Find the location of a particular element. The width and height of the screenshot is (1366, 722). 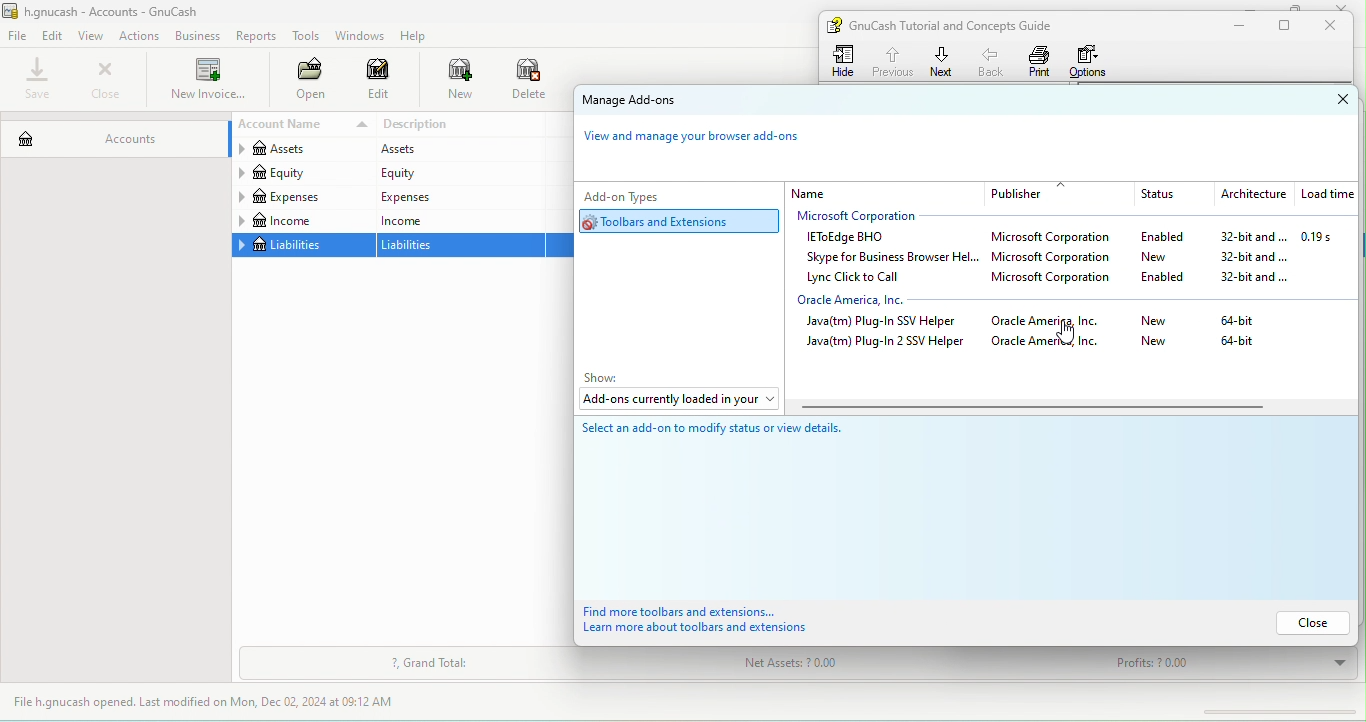

microsoft corporation is located at coordinates (1056, 239).